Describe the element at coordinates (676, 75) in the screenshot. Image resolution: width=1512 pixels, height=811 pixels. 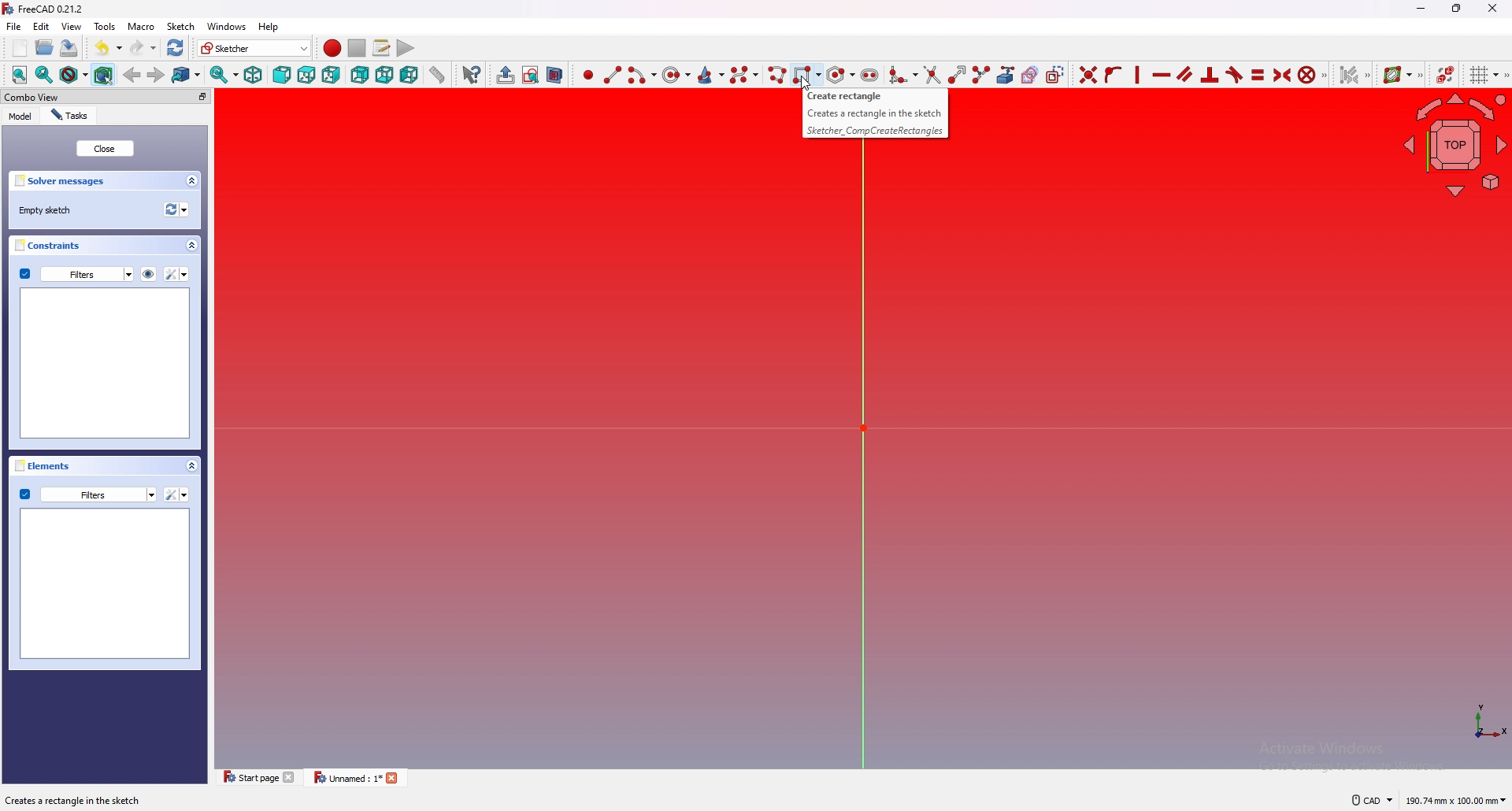
I see `create circle` at that location.